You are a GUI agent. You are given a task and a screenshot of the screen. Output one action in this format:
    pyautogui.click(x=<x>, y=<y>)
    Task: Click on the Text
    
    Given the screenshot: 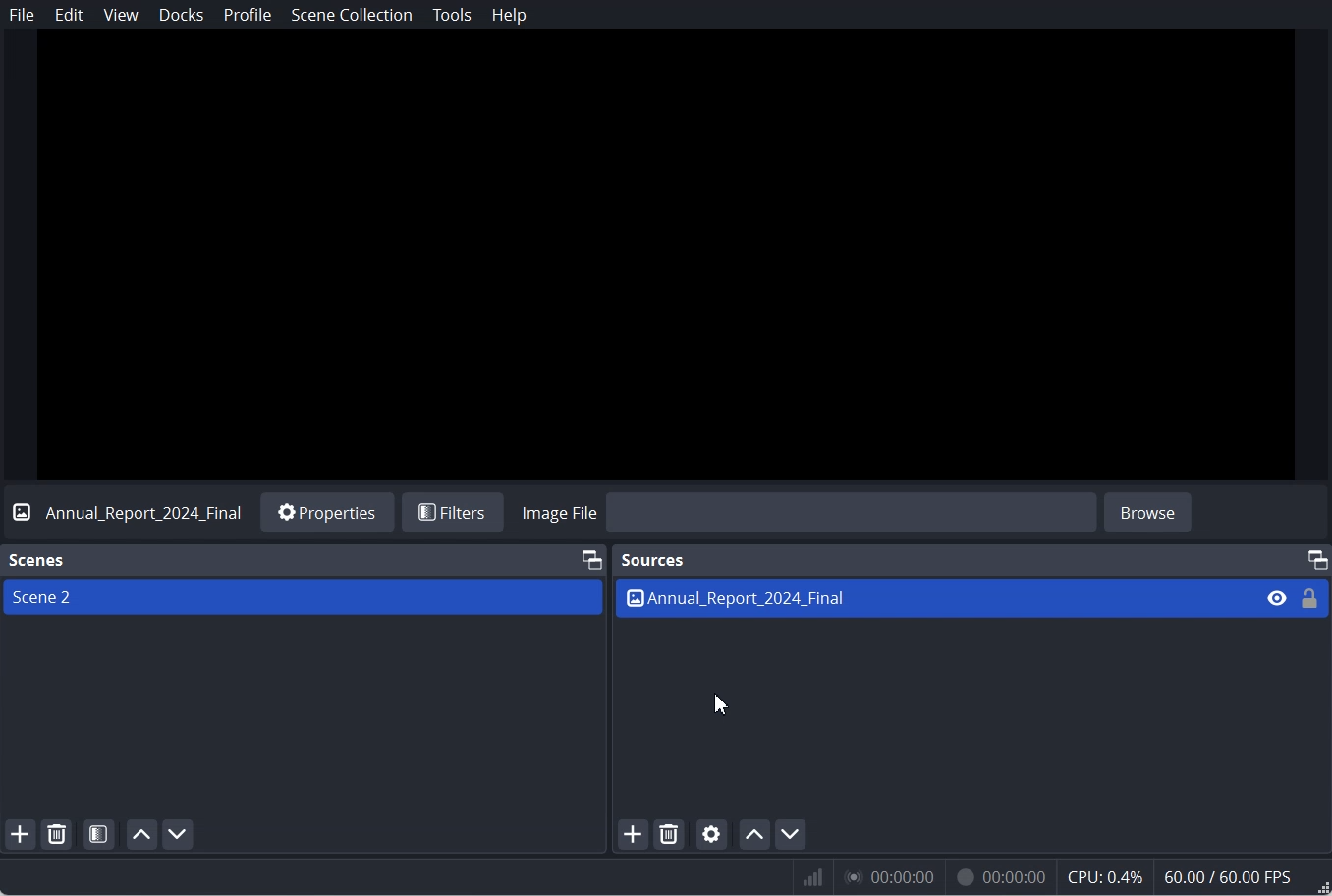 What is the action you would take?
    pyautogui.click(x=37, y=561)
    